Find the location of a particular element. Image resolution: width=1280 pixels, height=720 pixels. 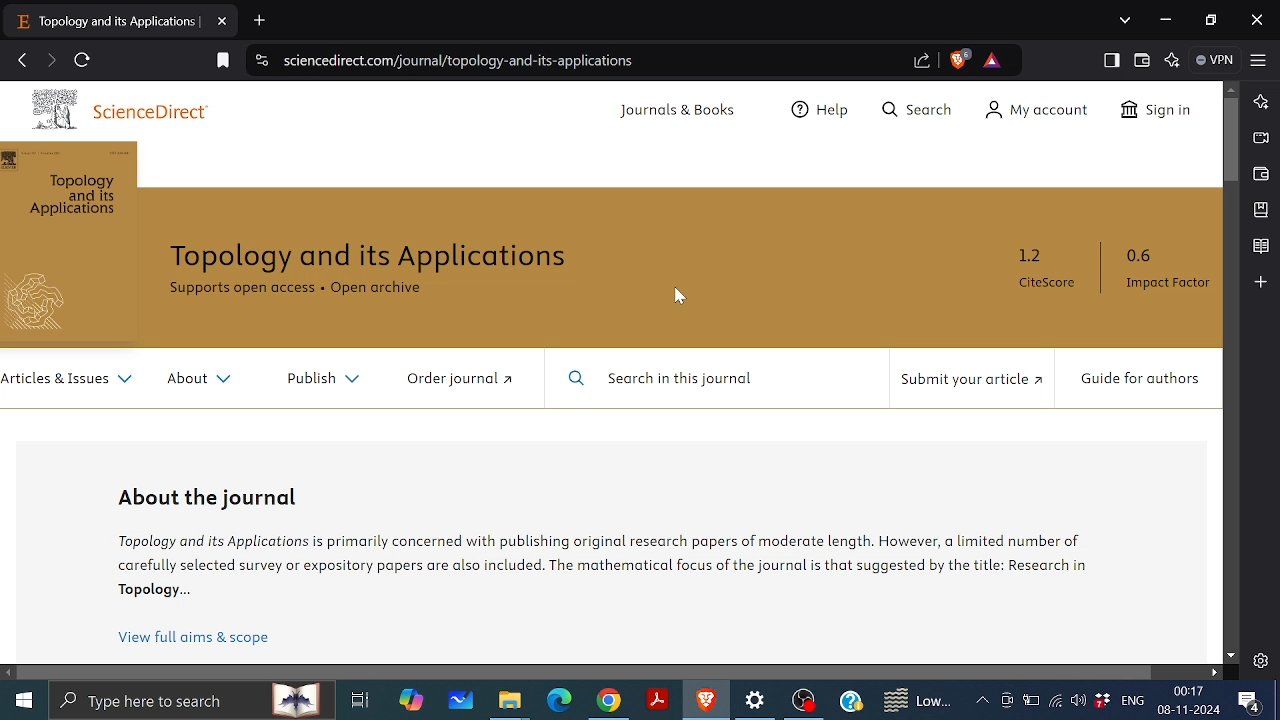

Move left is located at coordinates (8, 672).